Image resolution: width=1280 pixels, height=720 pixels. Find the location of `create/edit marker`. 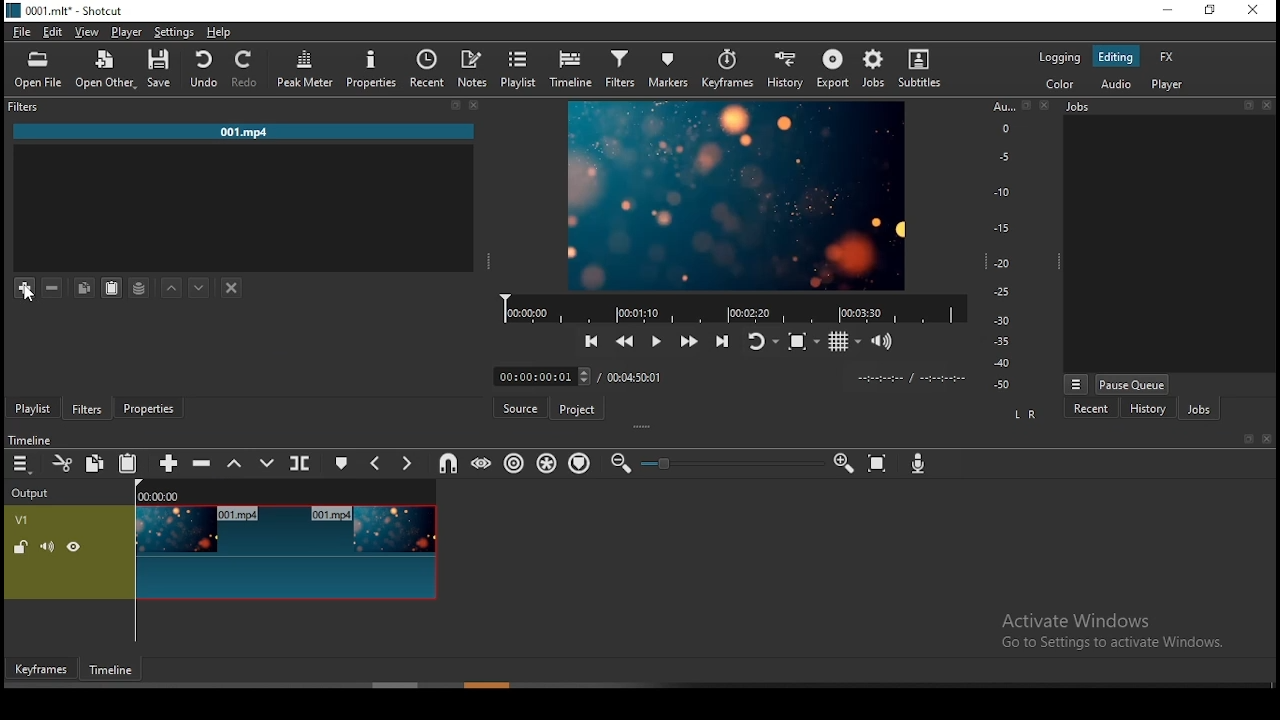

create/edit marker is located at coordinates (344, 463).